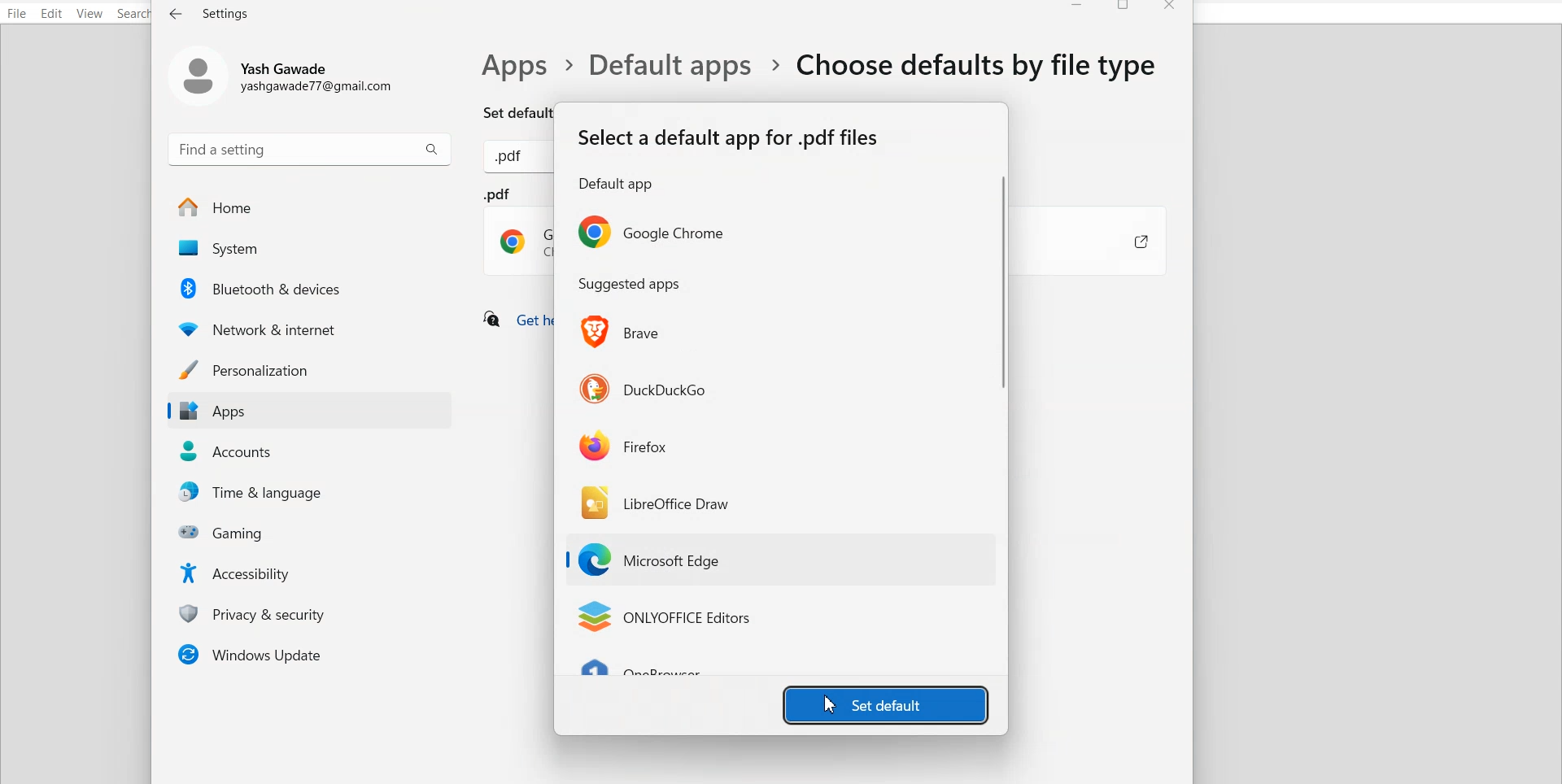 The width and height of the screenshot is (1562, 784). Describe the element at coordinates (625, 332) in the screenshot. I see `Brave` at that location.